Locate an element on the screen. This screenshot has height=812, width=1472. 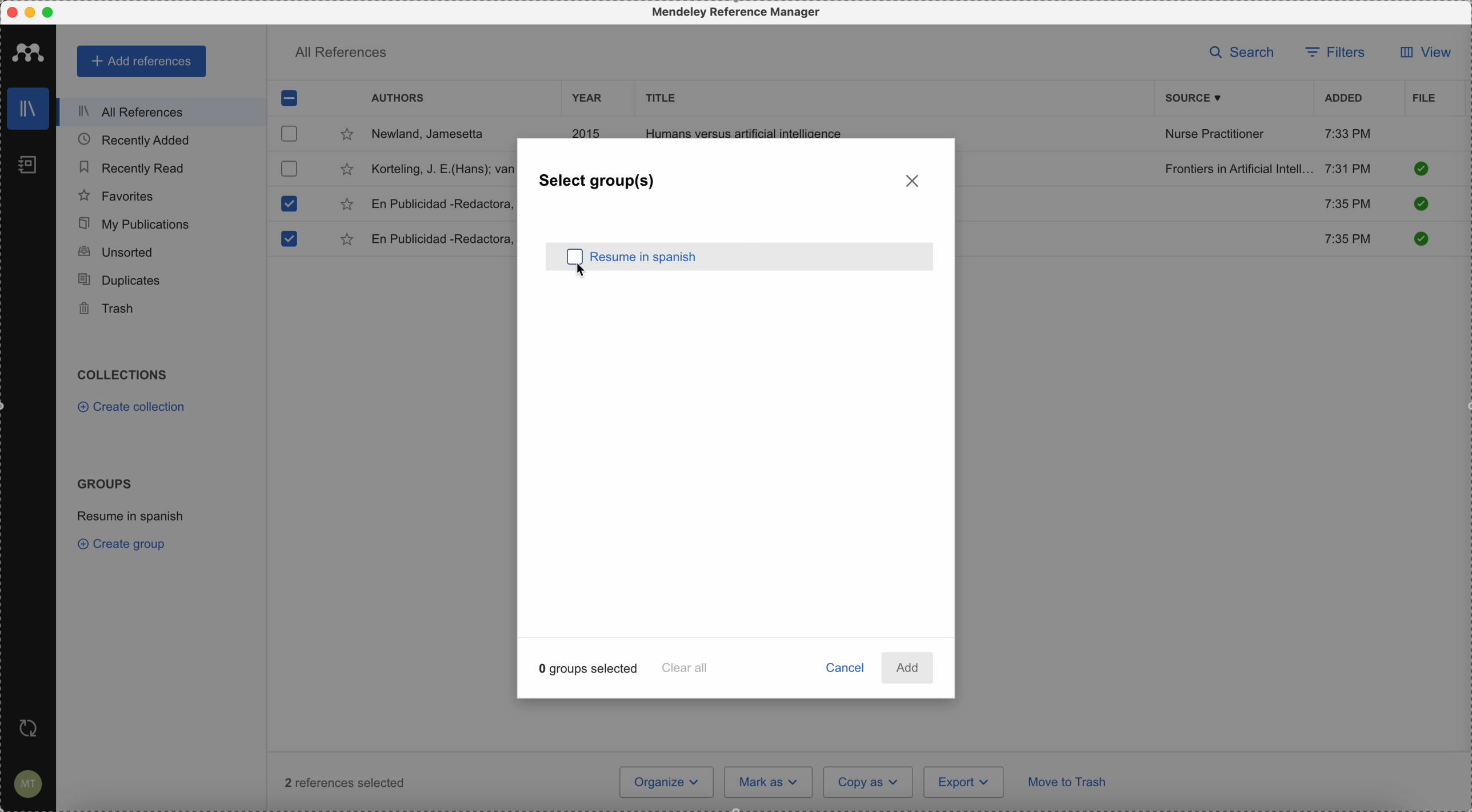
checkbox selected is located at coordinates (287, 239).